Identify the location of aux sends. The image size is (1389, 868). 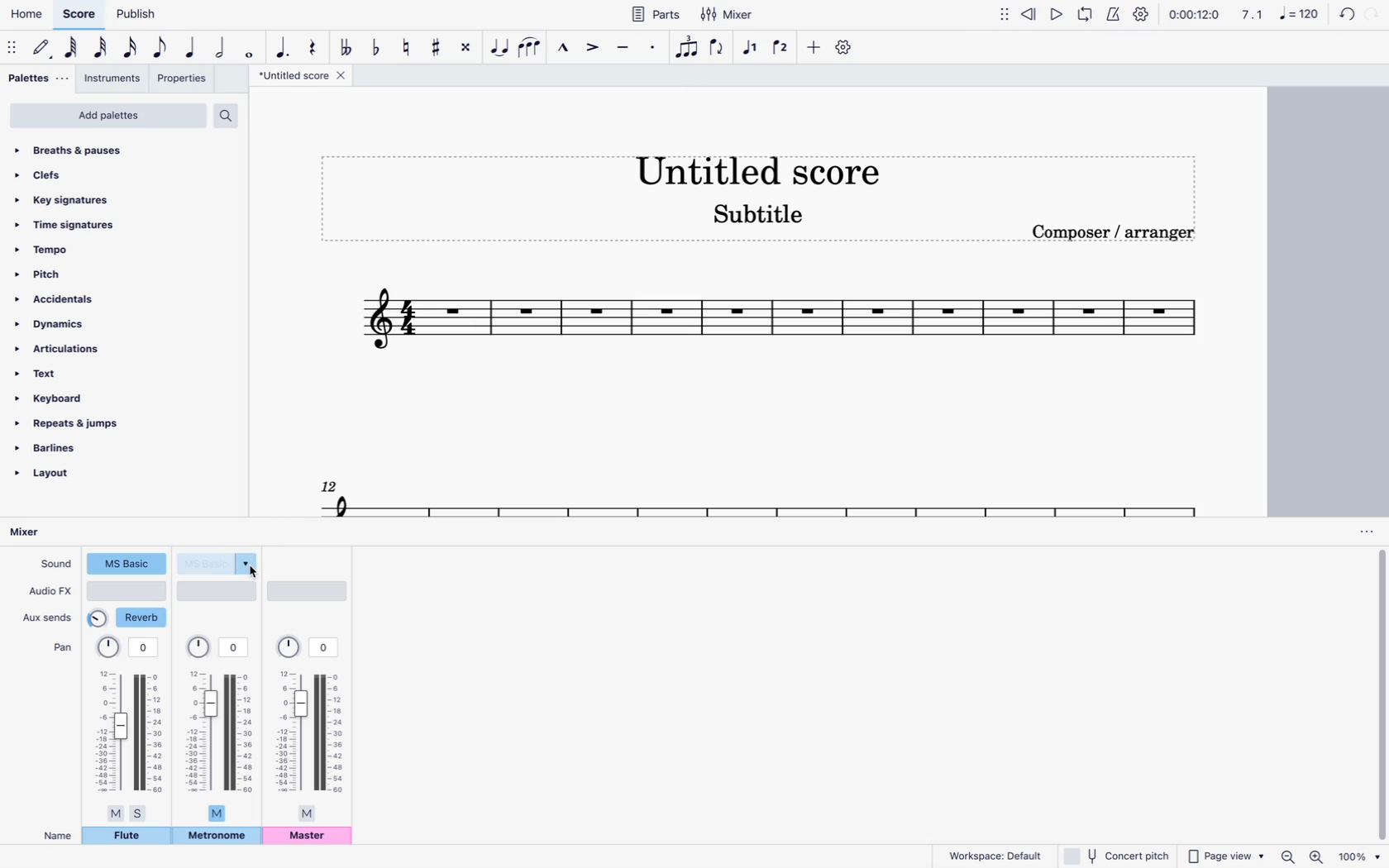
(50, 617).